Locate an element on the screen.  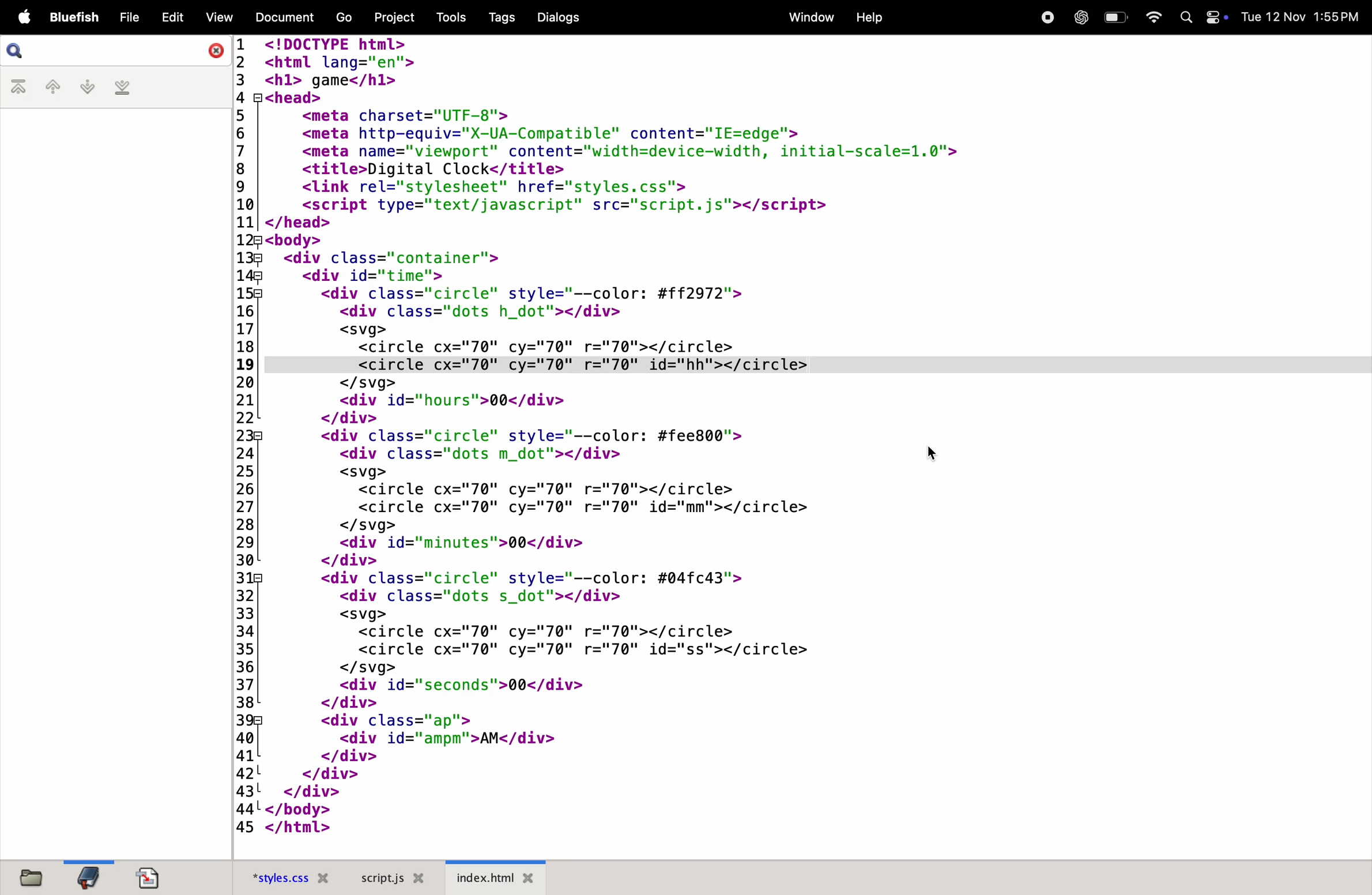
wifi is located at coordinates (1152, 17).